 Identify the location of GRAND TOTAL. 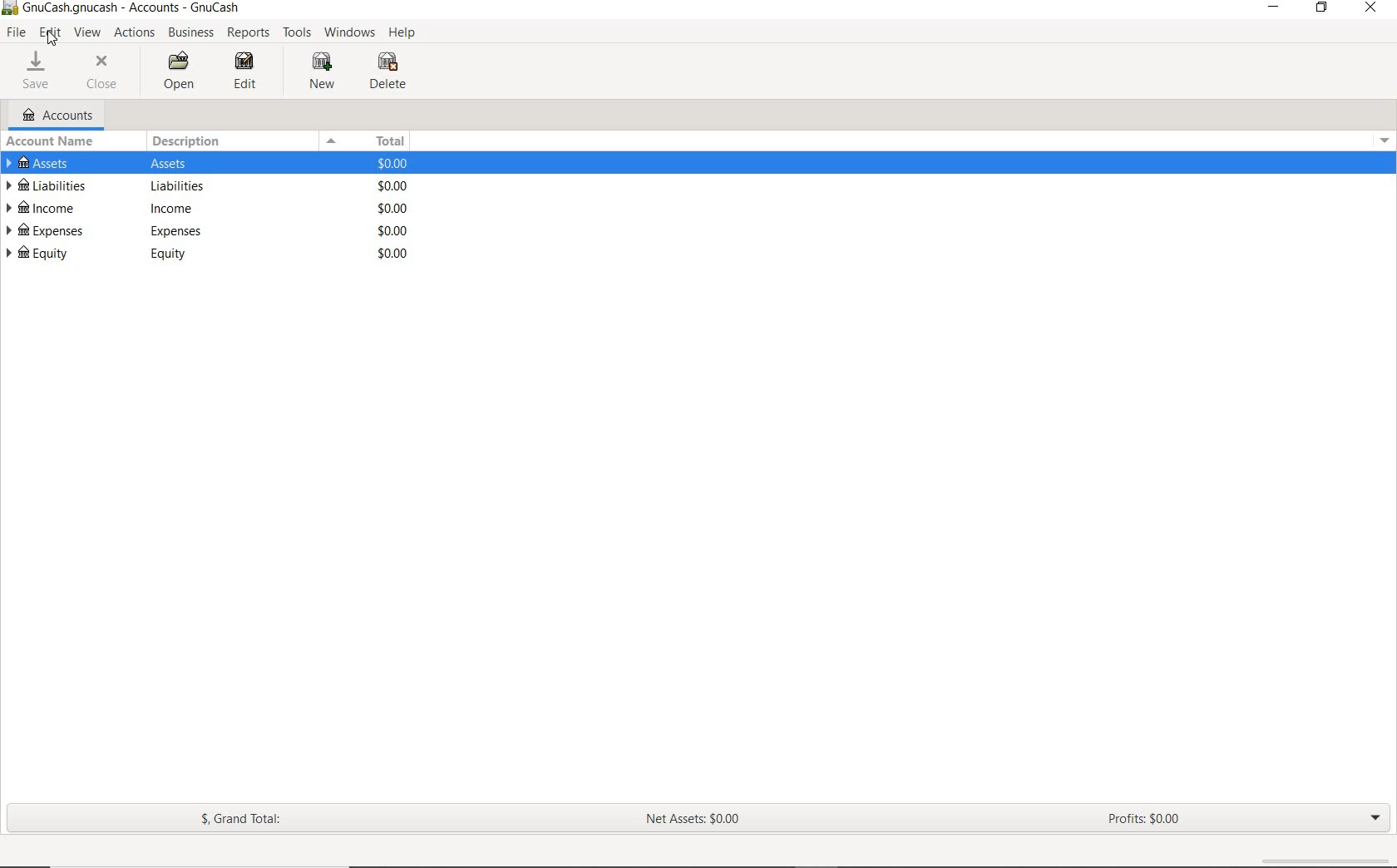
(243, 820).